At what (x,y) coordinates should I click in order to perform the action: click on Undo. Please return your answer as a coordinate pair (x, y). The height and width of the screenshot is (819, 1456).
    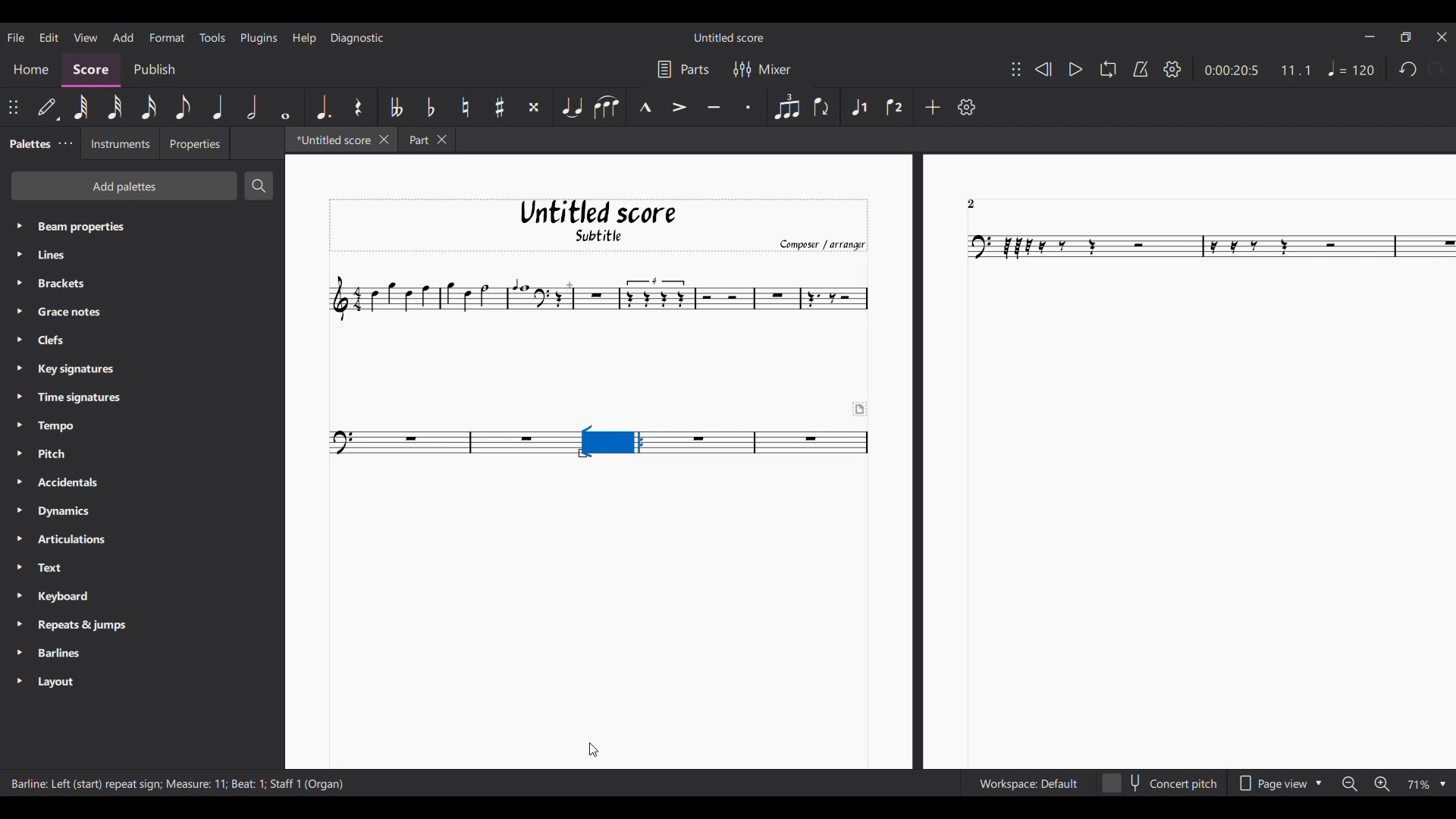
    Looking at the image, I should click on (1407, 69).